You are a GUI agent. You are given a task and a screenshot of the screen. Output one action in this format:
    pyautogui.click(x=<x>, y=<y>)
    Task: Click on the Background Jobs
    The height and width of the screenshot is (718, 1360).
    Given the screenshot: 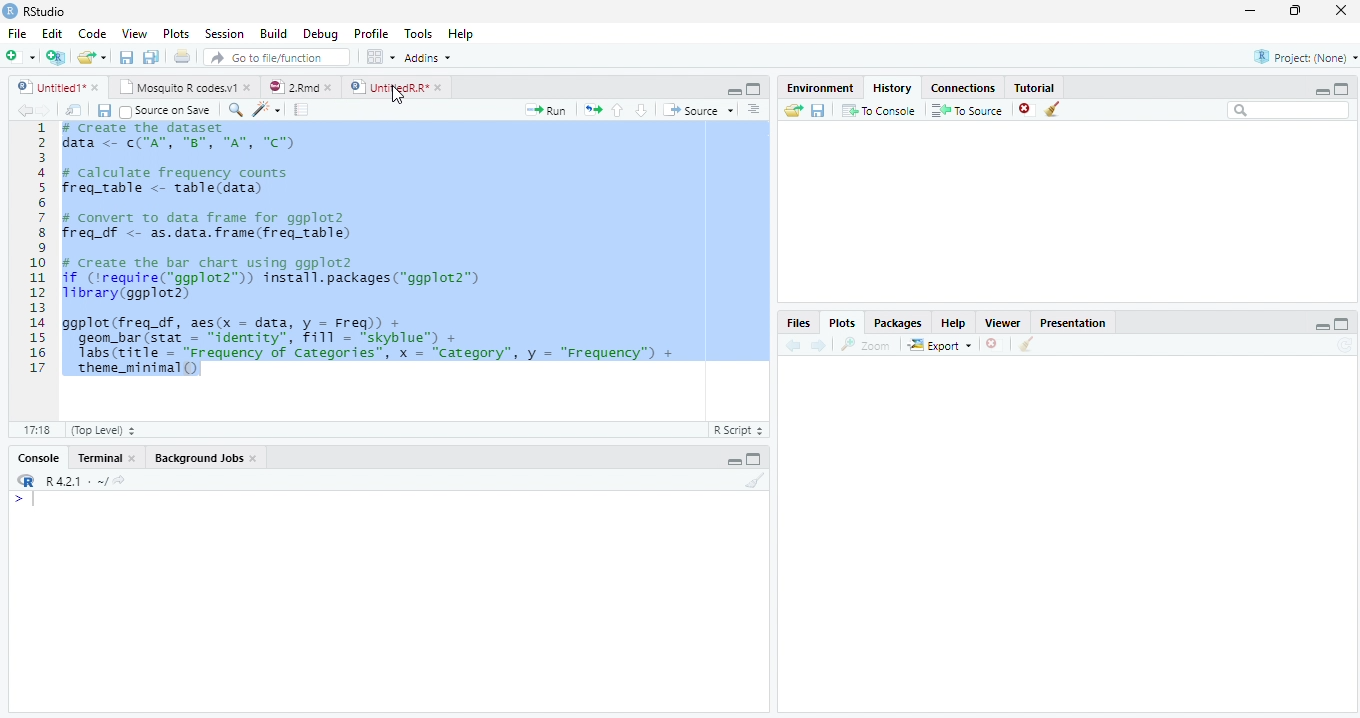 What is the action you would take?
    pyautogui.click(x=207, y=457)
    